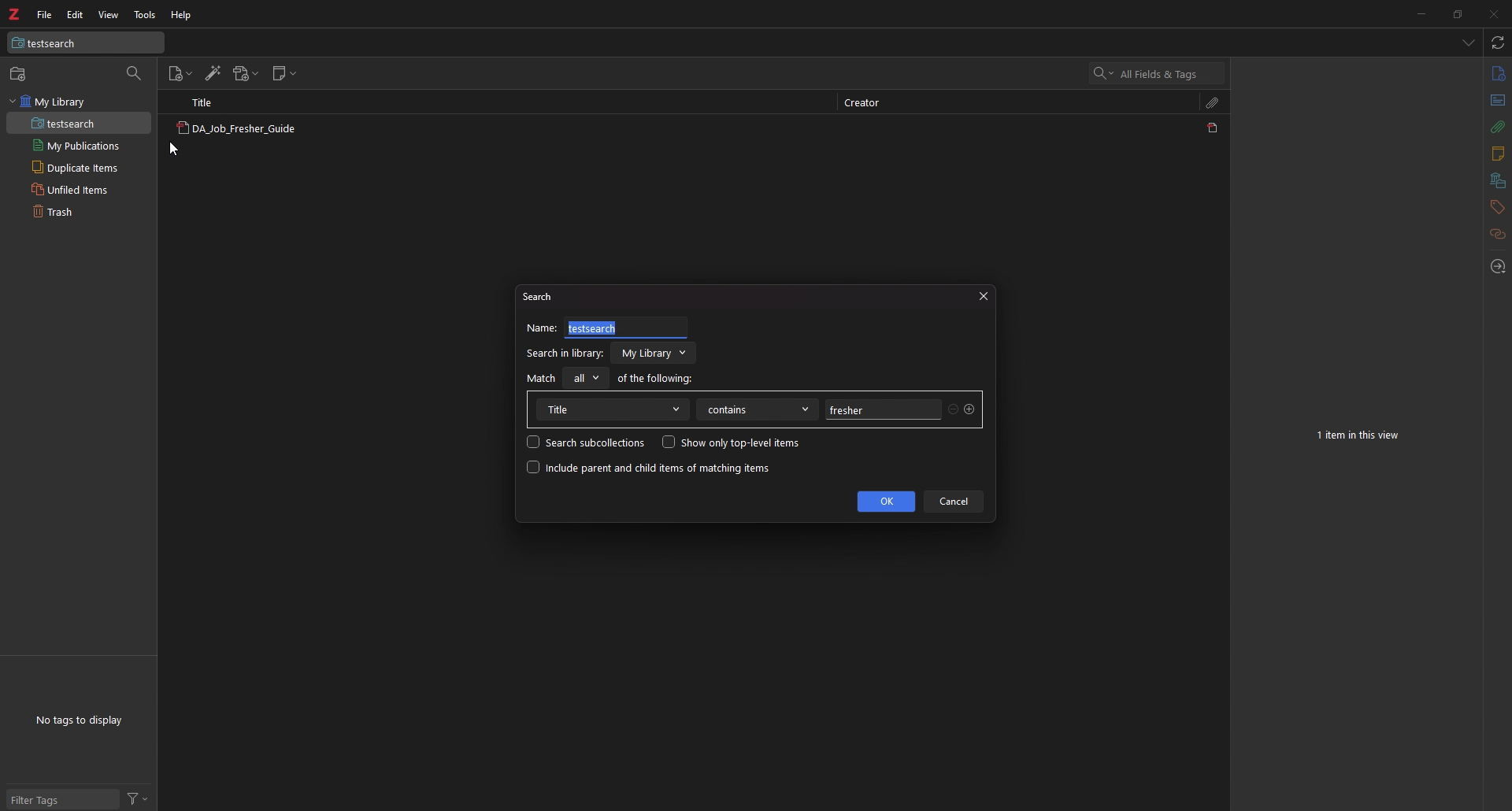  Describe the element at coordinates (79, 102) in the screenshot. I see `my library` at that location.